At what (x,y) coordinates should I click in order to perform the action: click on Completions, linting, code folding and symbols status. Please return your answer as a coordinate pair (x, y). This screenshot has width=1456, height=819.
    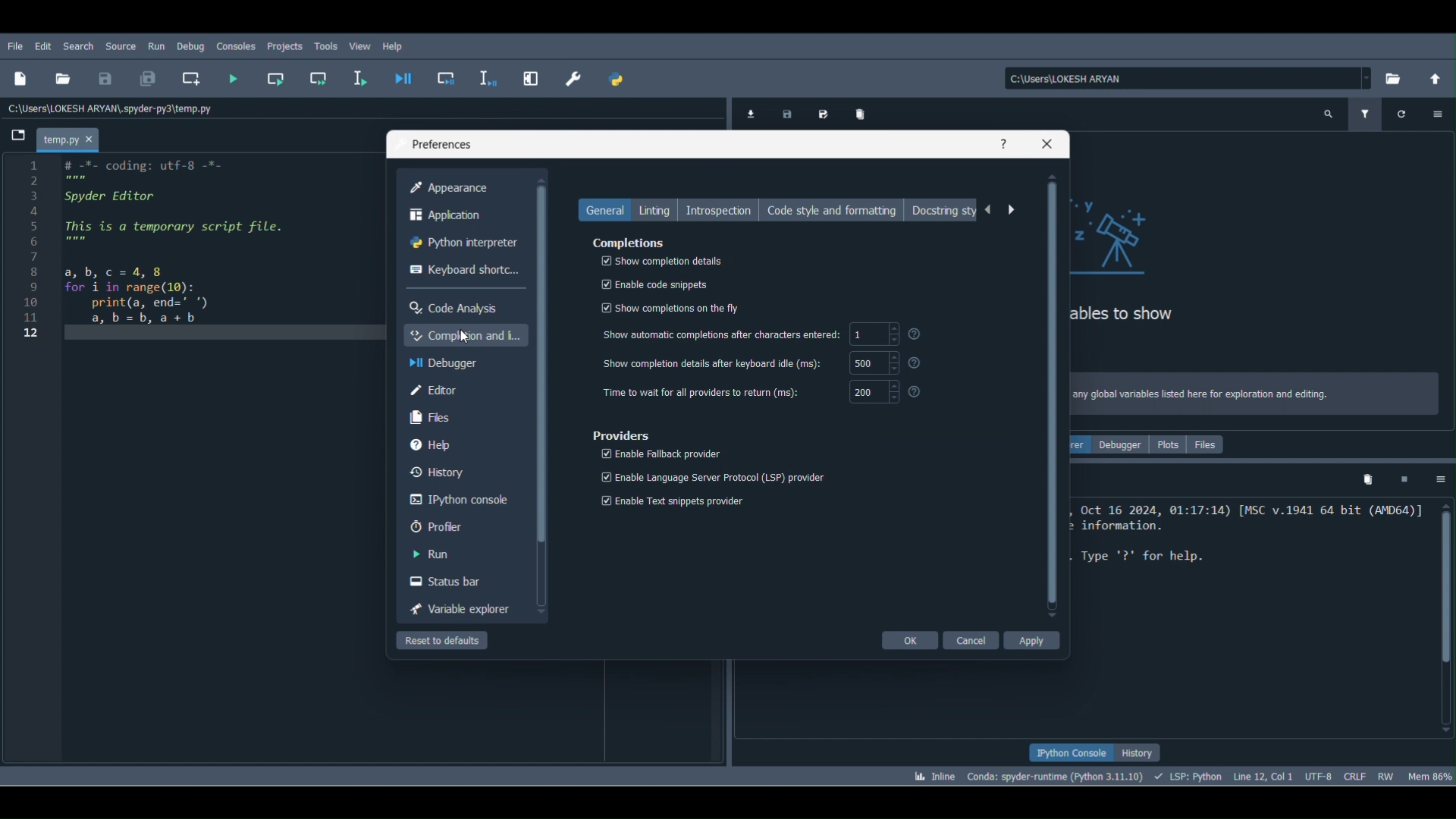
    Looking at the image, I should click on (1191, 776).